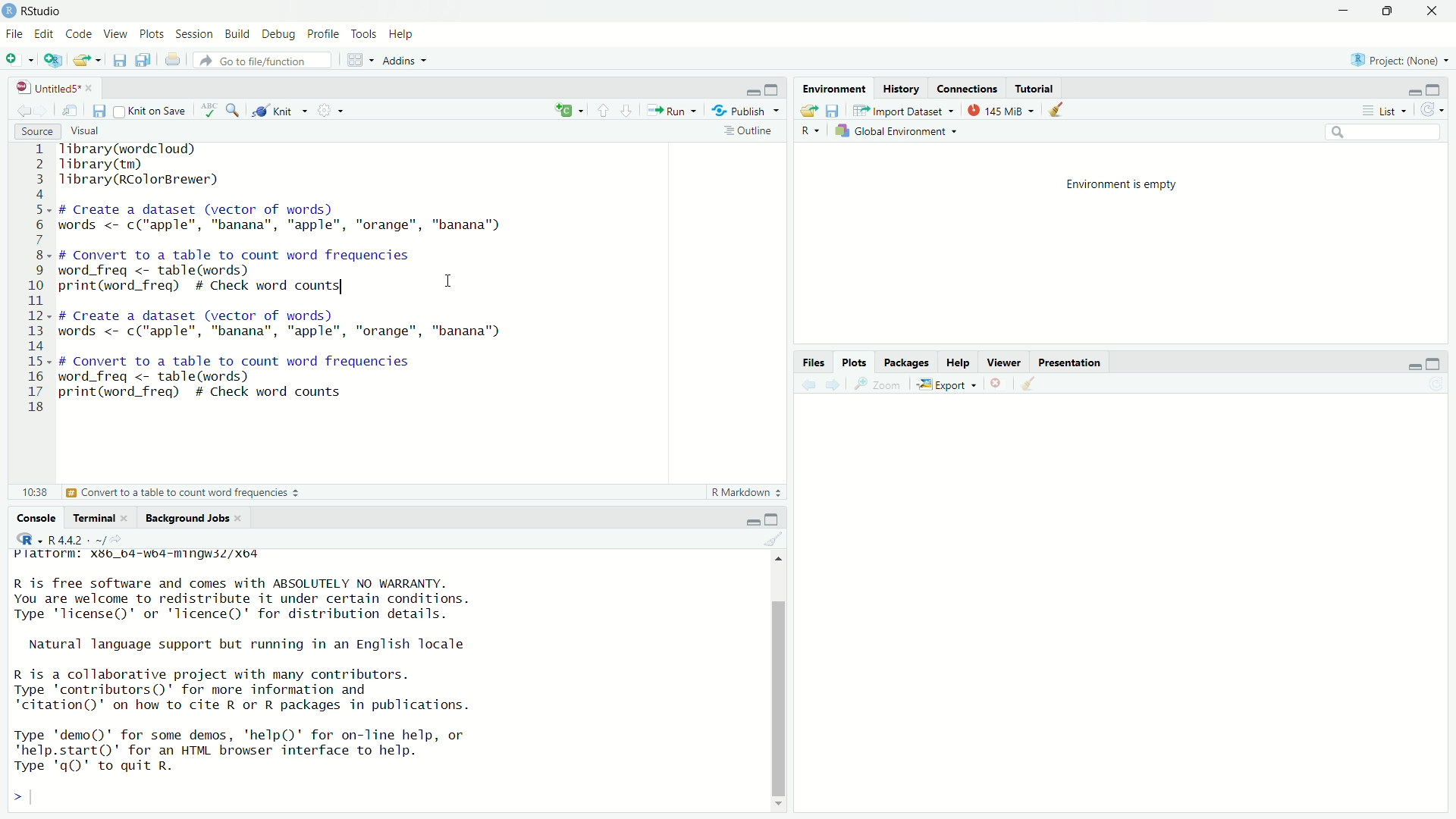 This screenshot has height=819, width=1456. What do you see at coordinates (360, 59) in the screenshot?
I see `Workspace pane` at bounding box center [360, 59].